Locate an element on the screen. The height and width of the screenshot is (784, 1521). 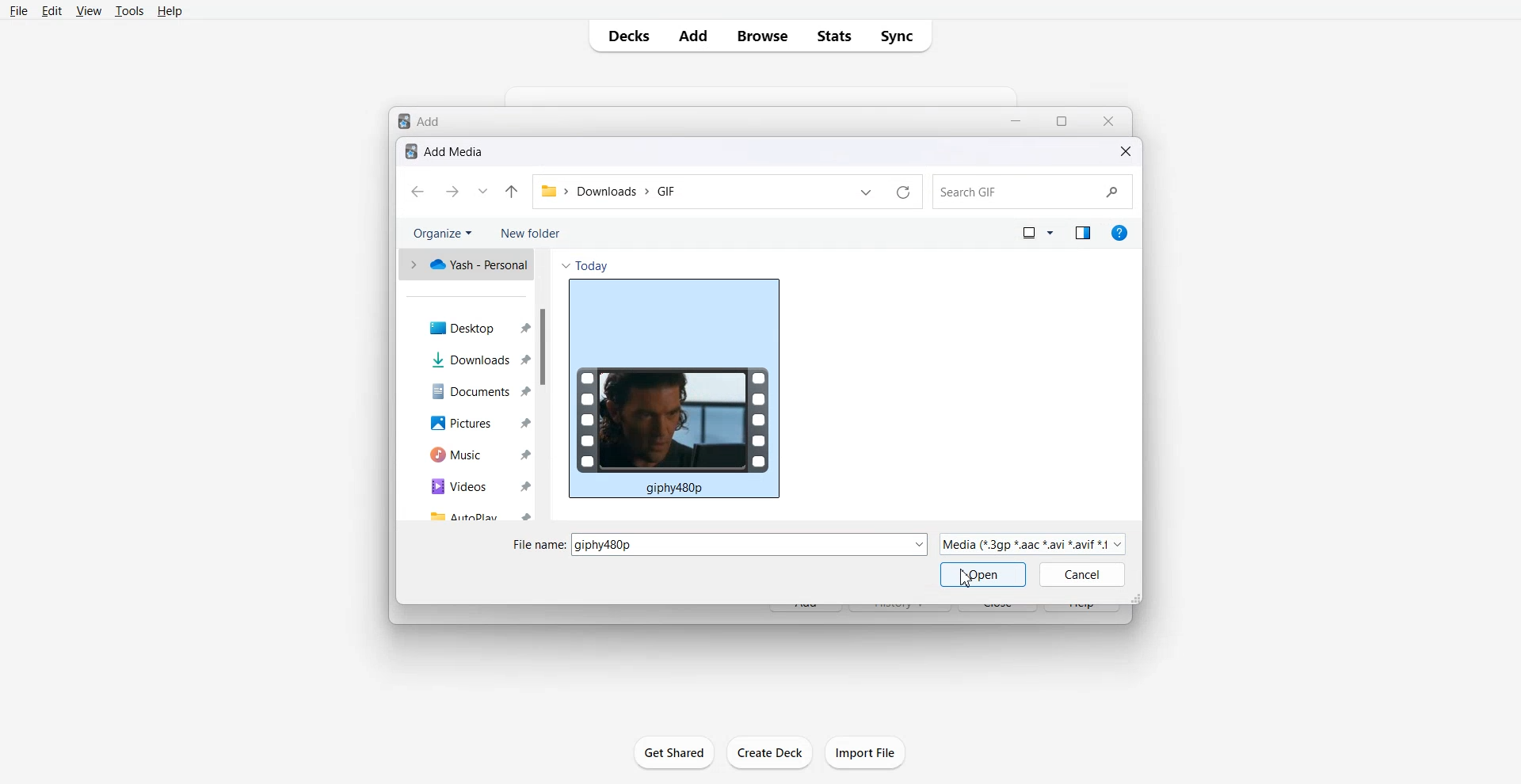
Tools is located at coordinates (128, 12).